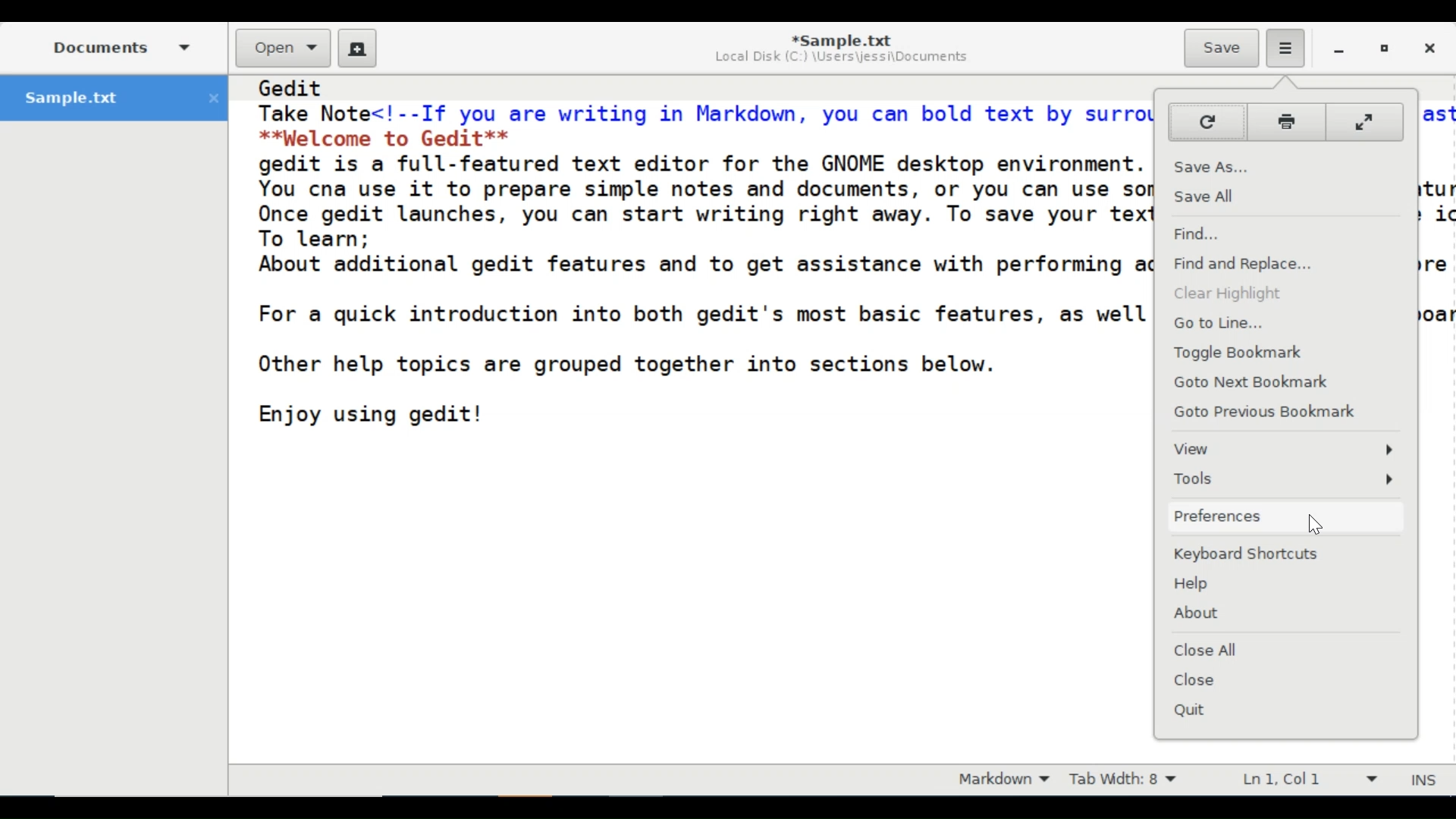 The height and width of the screenshot is (819, 1456). I want to click on Open, so click(284, 49).